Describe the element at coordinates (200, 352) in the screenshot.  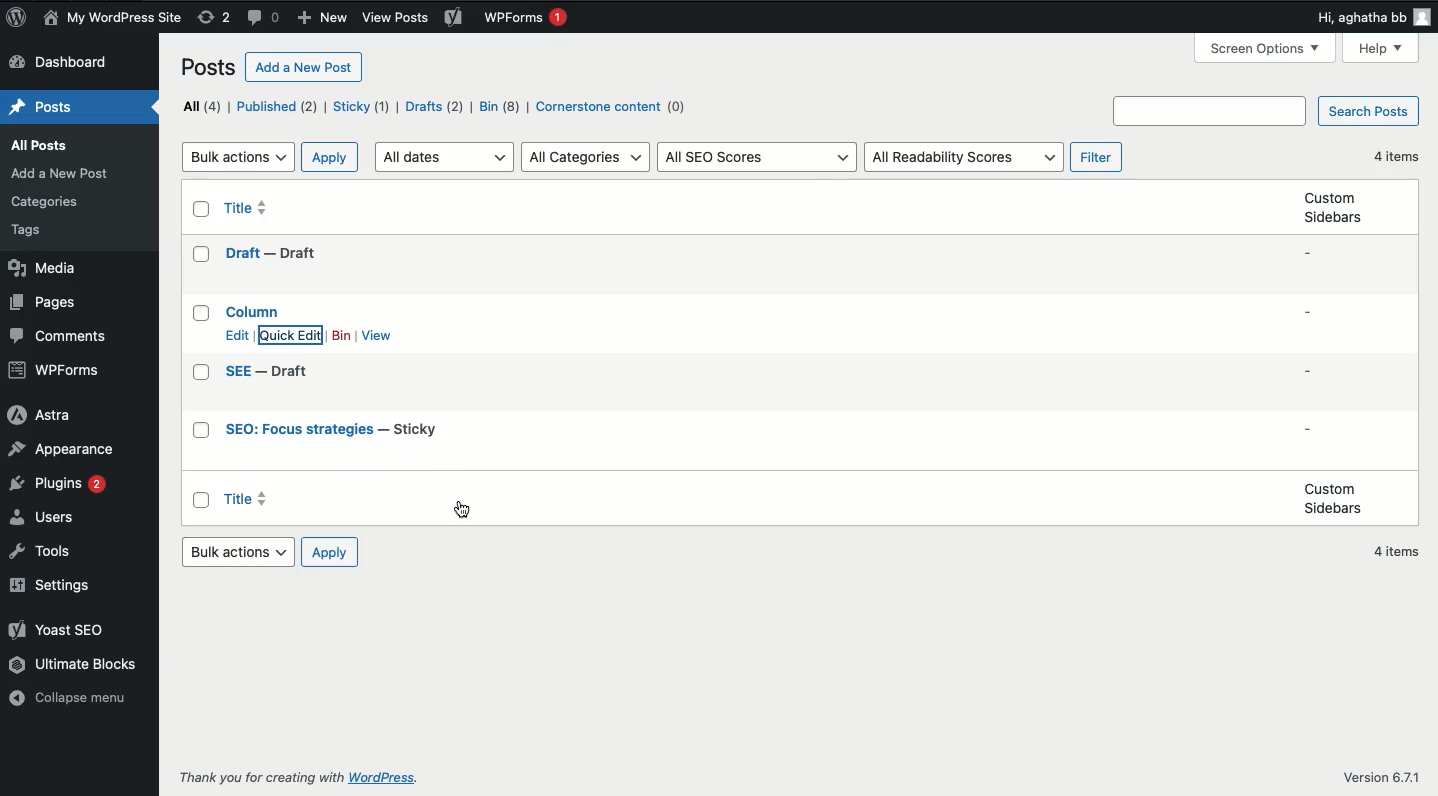
I see `Checkbox` at that location.